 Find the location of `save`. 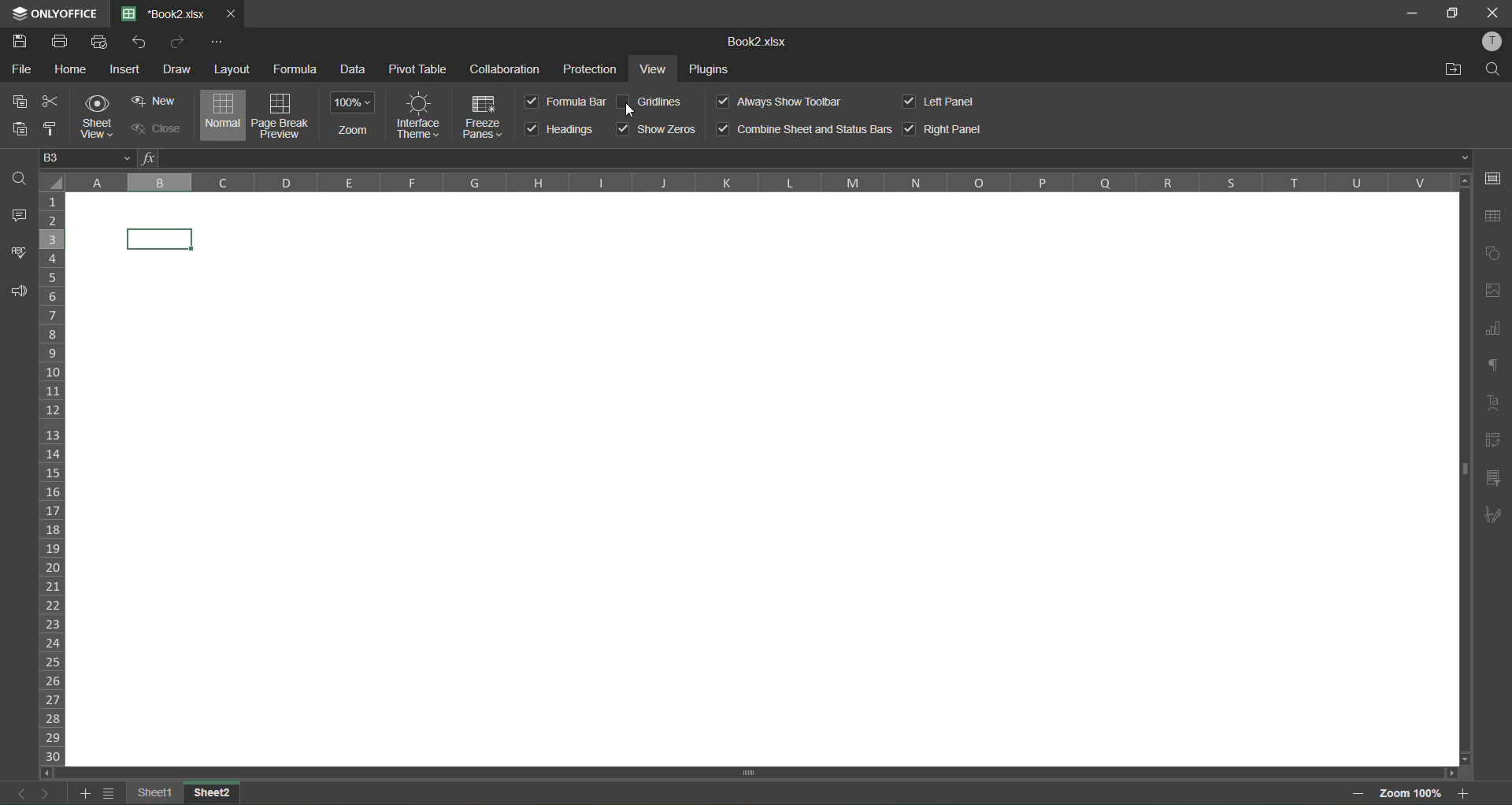

save is located at coordinates (22, 42).